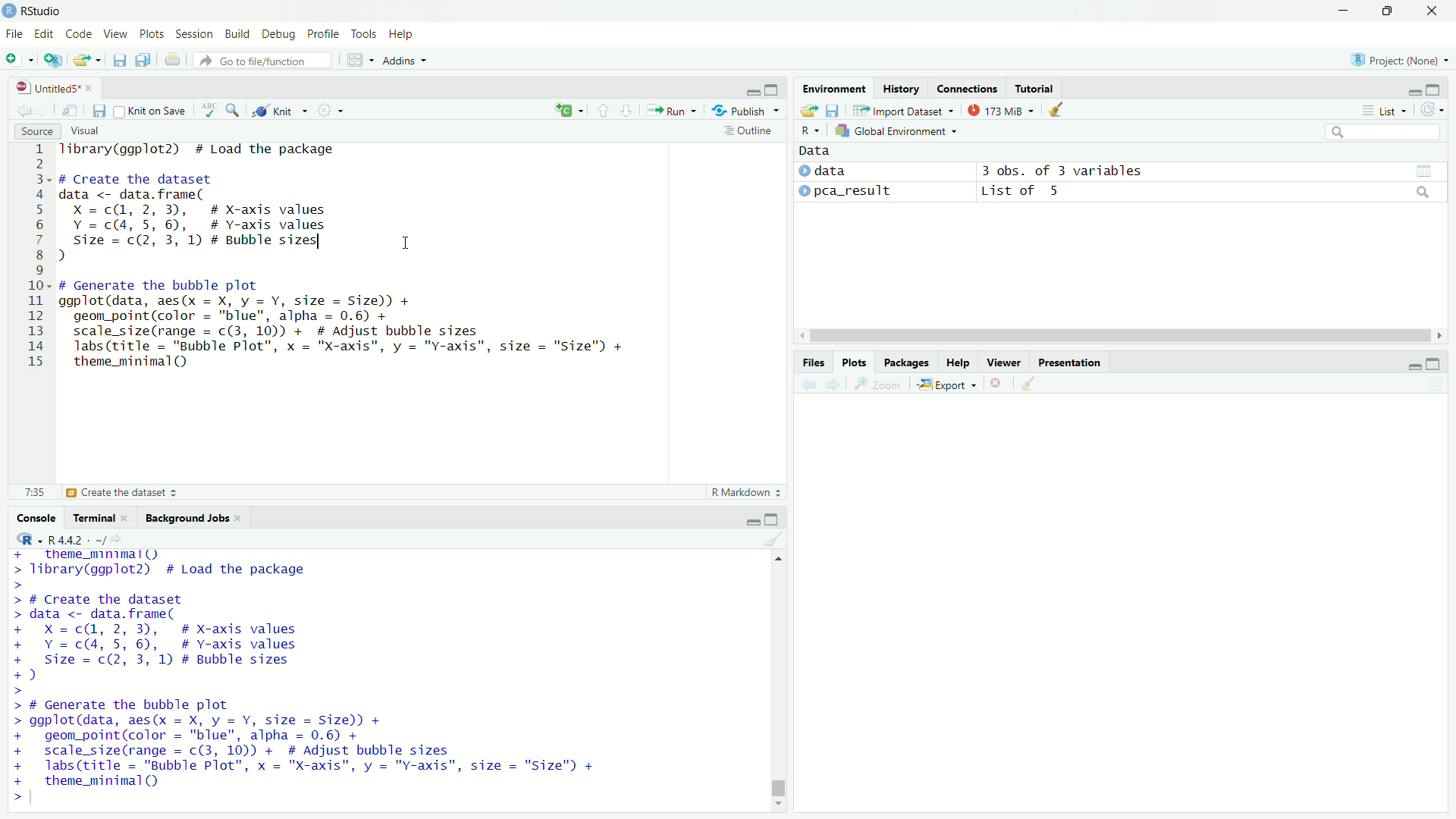 Image resolution: width=1456 pixels, height=819 pixels. What do you see at coordinates (209, 110) in the screenshot?
I see `spelling check` at bounding box center [209, 110].